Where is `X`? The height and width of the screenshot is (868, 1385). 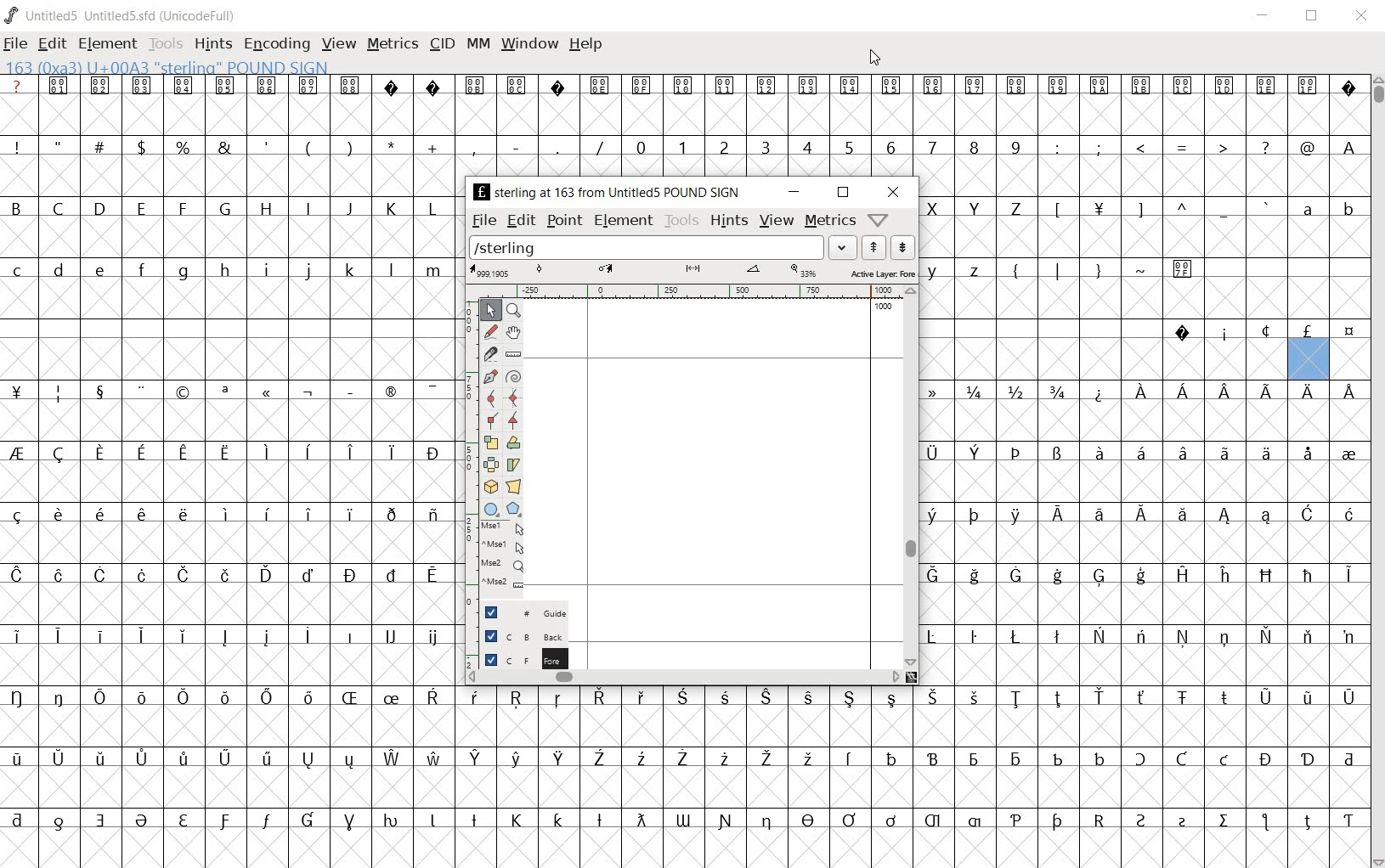
X is located at coordinates (936, 208).